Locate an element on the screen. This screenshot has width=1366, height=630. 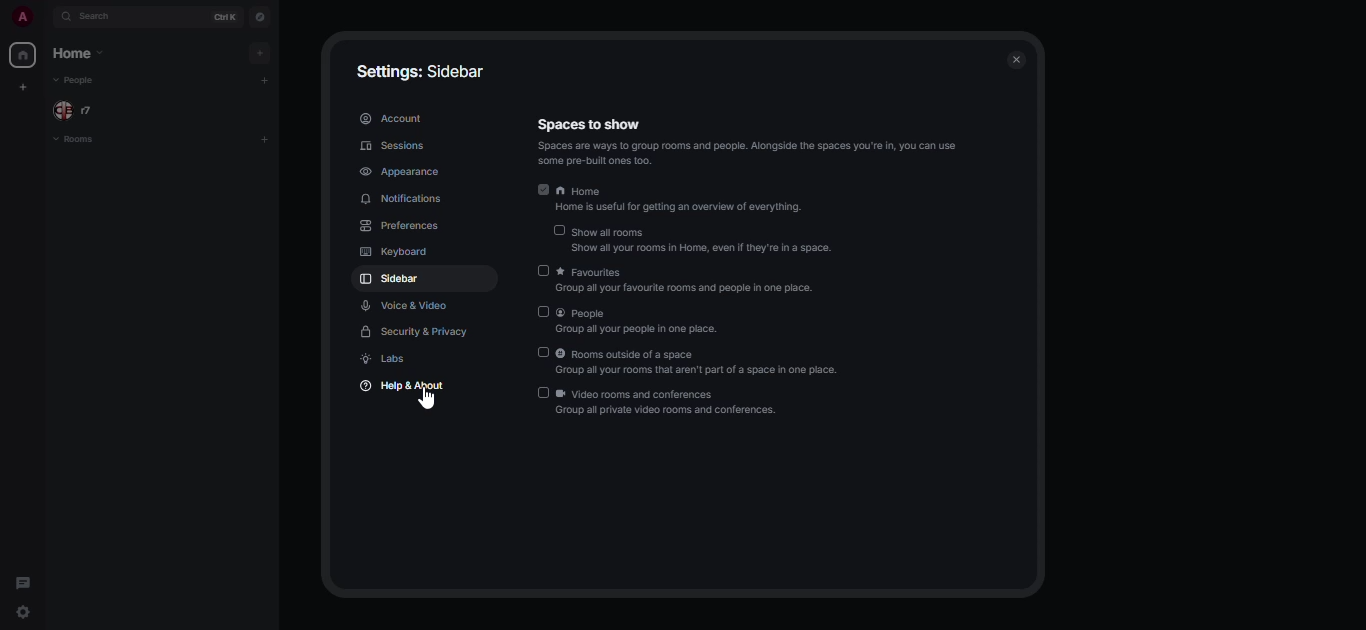
navigator is located at coordinates (262, 15).